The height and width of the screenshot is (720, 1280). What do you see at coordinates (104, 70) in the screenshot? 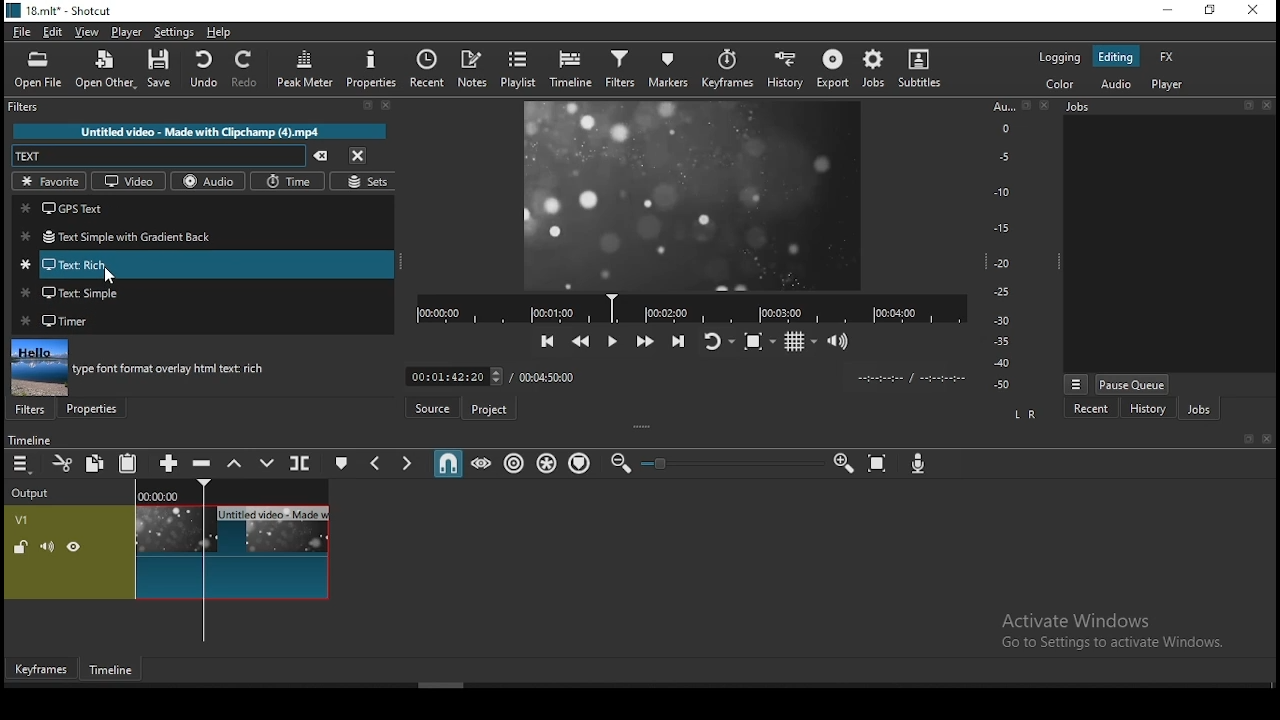
I see `open other` at bounding box center [104, 70].